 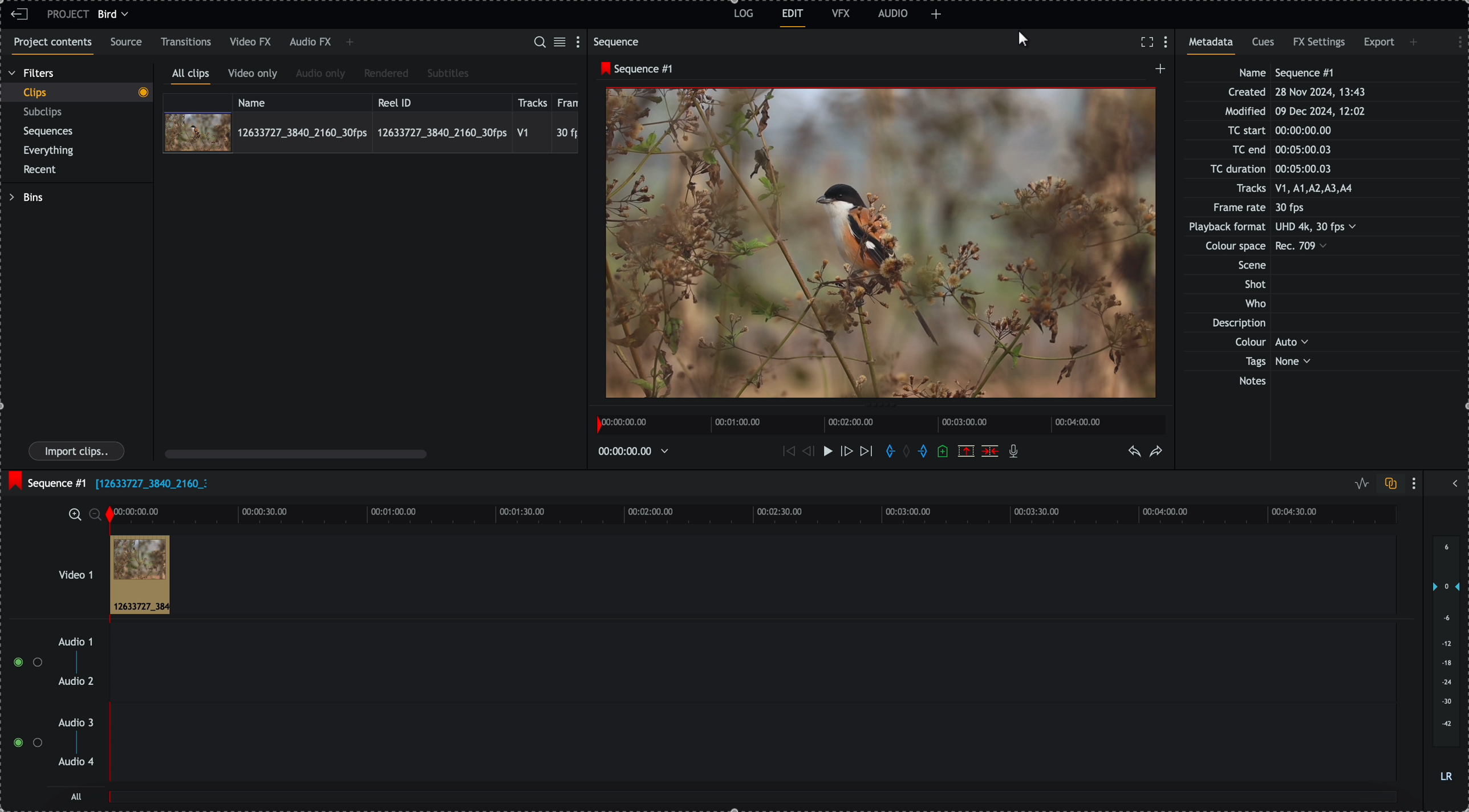 What do you see at coordinates (1445, 660) in the screenshot?
I see `audio output level (d/B)` at bounding box center [1445, 660].